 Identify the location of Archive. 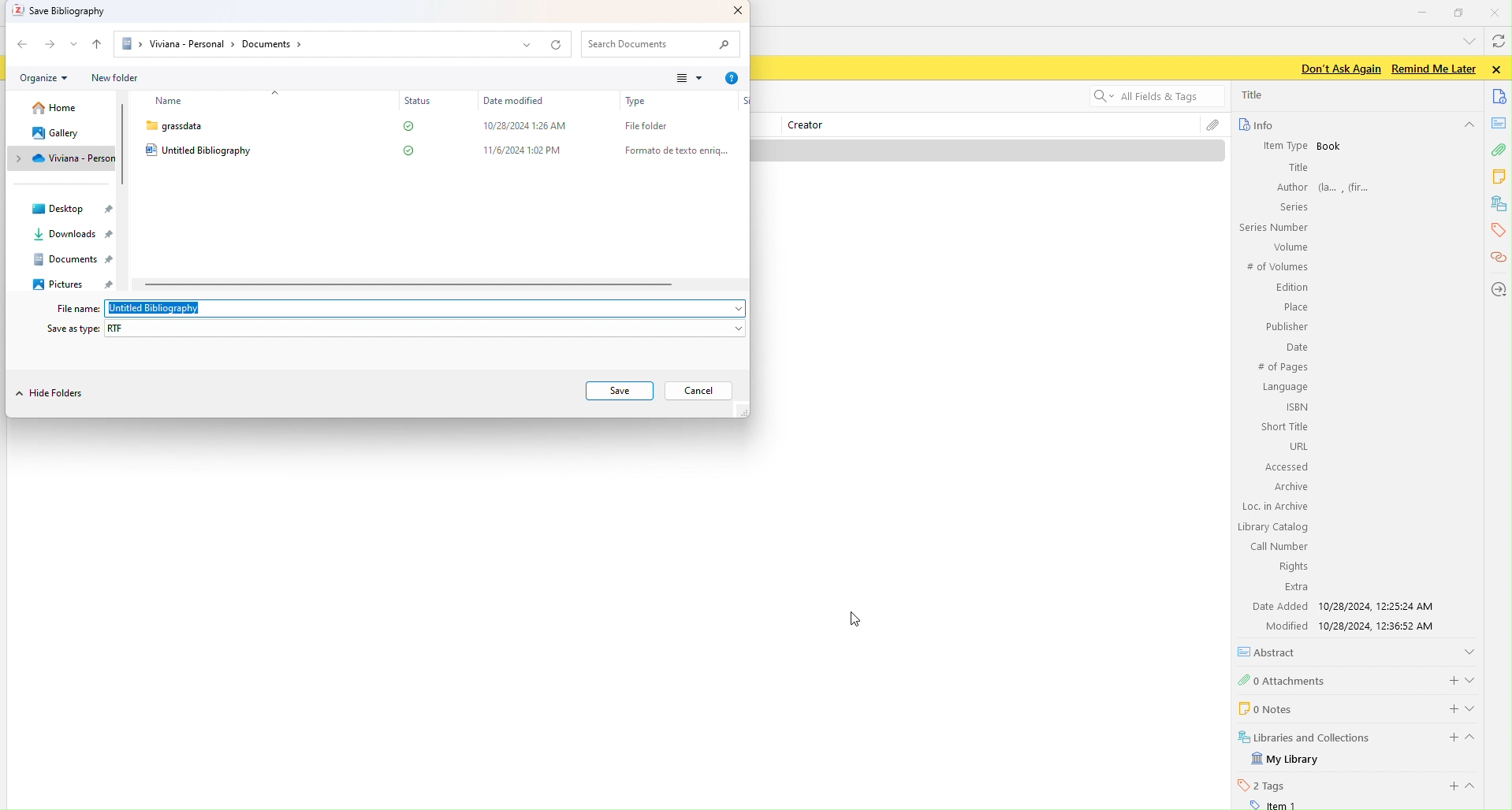
(1289, 486).